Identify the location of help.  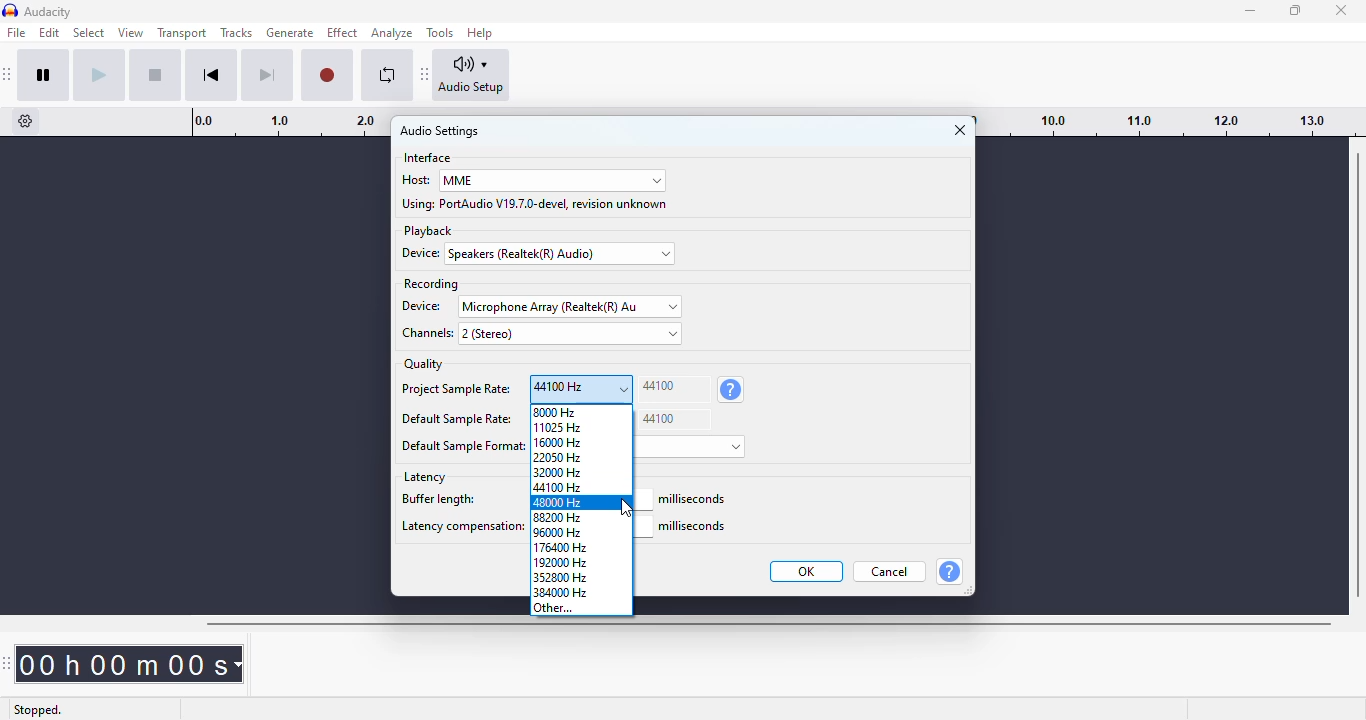
(481, 32).